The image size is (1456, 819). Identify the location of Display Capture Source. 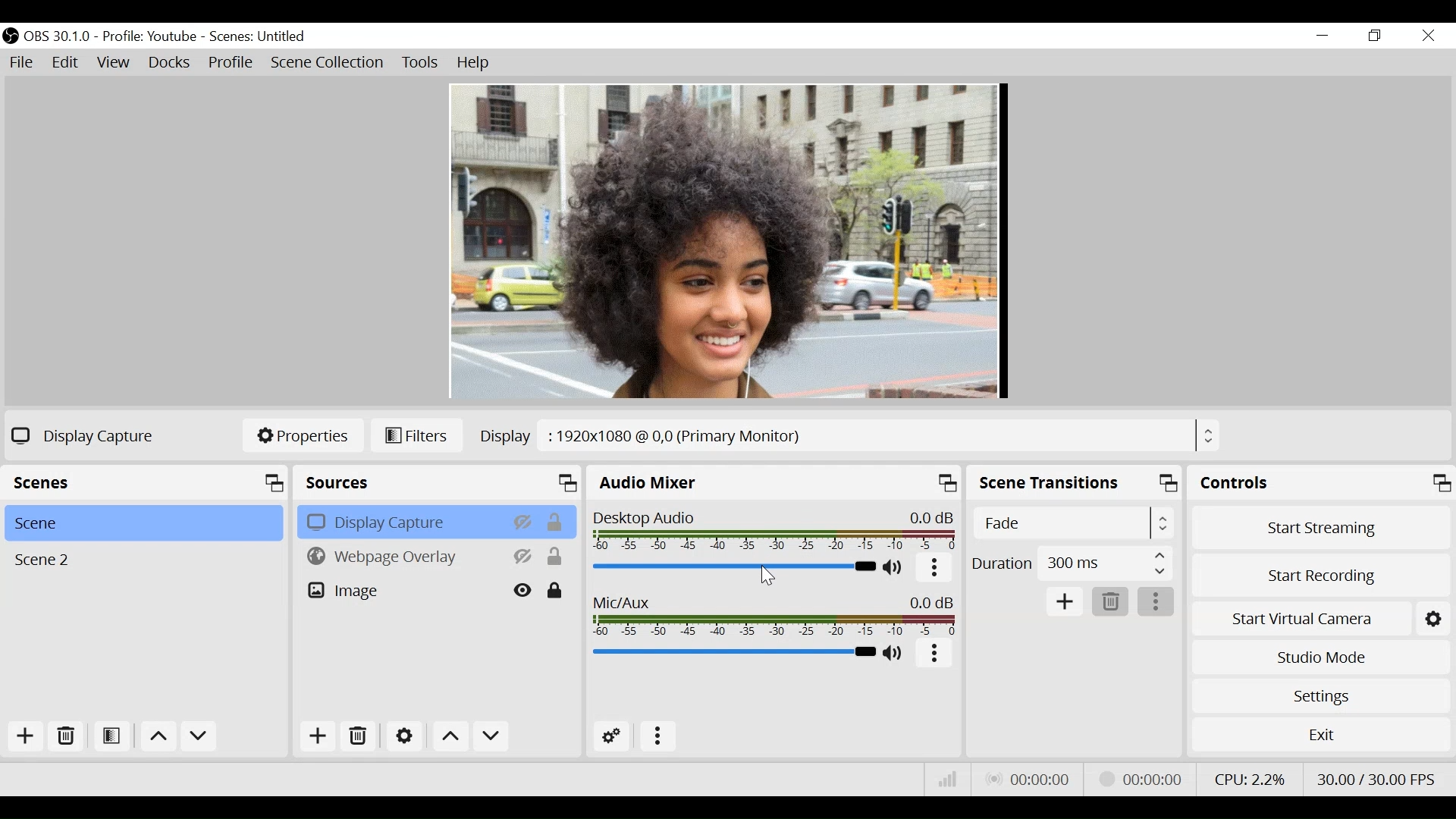
(402, 522).